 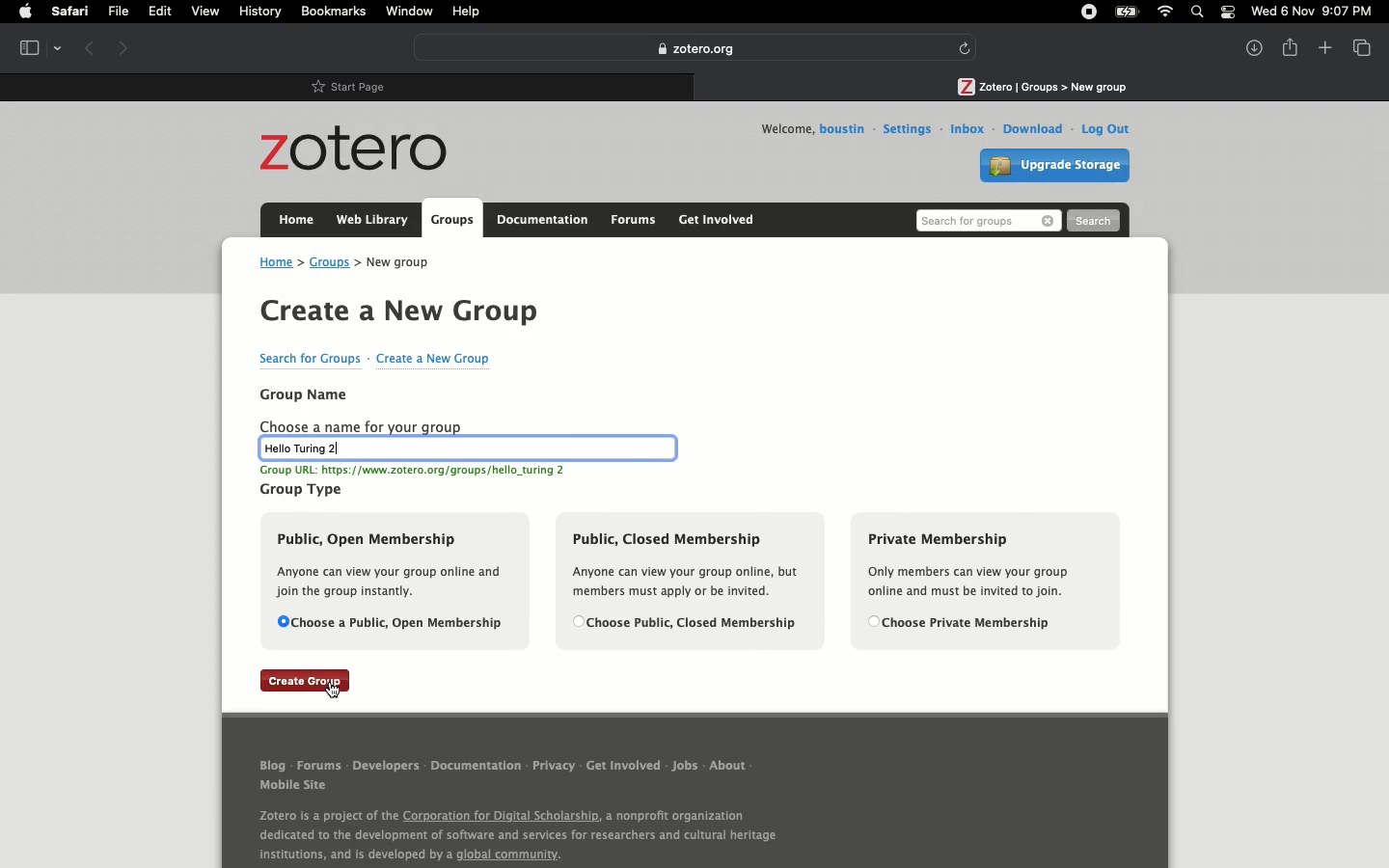 What do you see at coordinates (553, 765) in the screenshot?
I see `Privacy` at bounding box center [553, 765].